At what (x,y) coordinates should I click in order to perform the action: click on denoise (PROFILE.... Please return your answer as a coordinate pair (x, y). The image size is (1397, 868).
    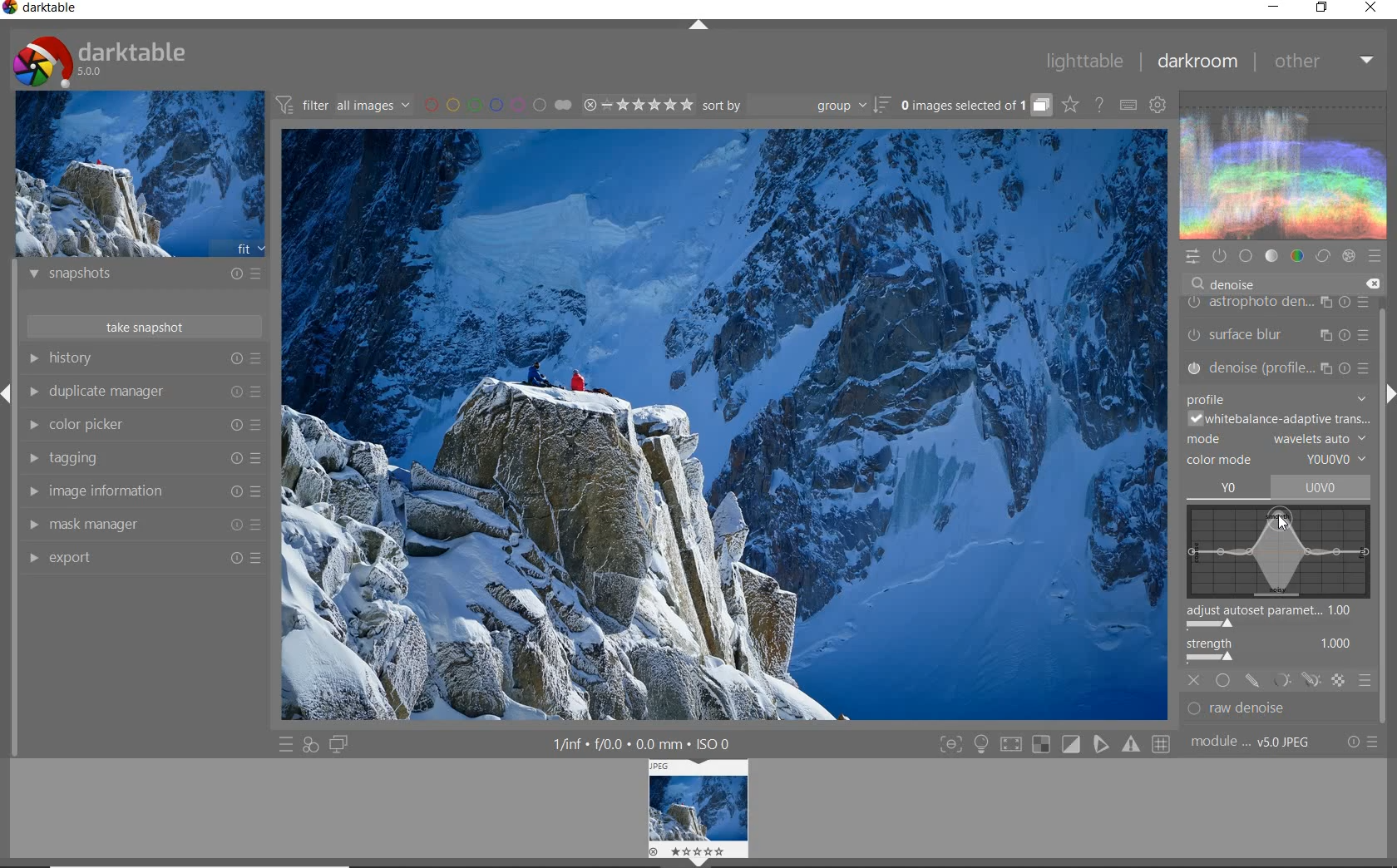
    Looking at the image, I should click on (1279, 366).